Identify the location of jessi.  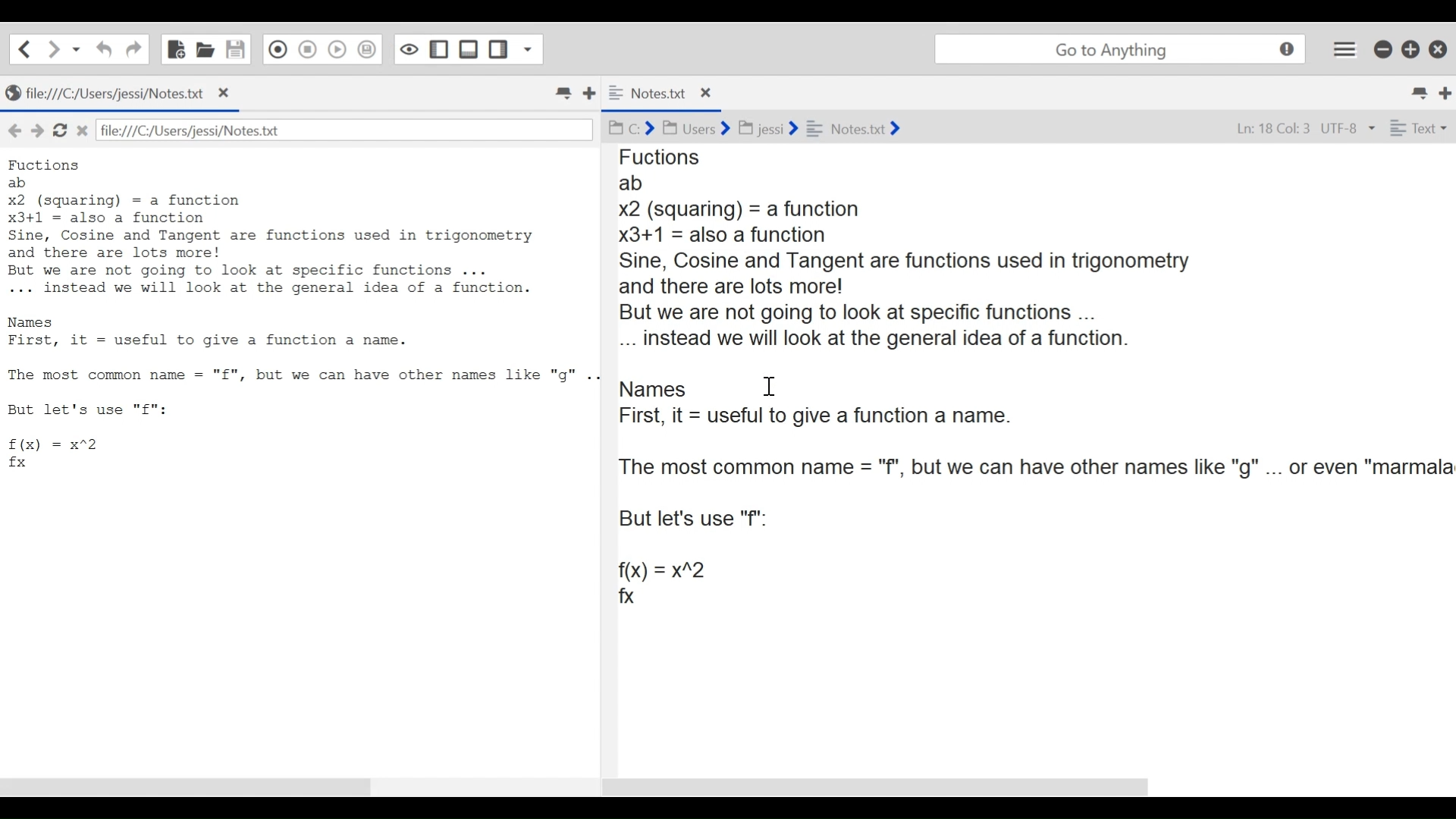
(763, 129).